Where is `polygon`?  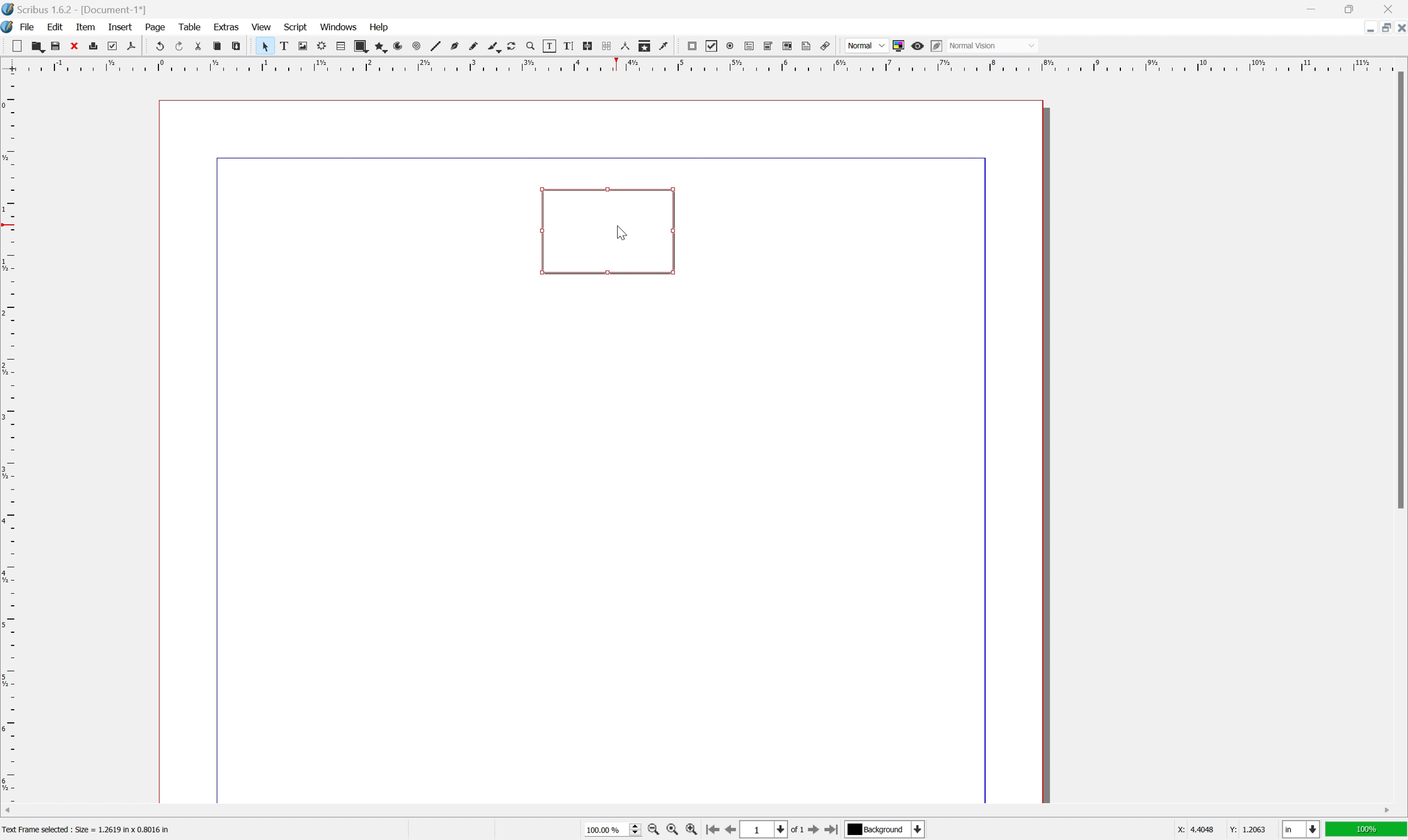 polygon is located at coordinates (379, 47).